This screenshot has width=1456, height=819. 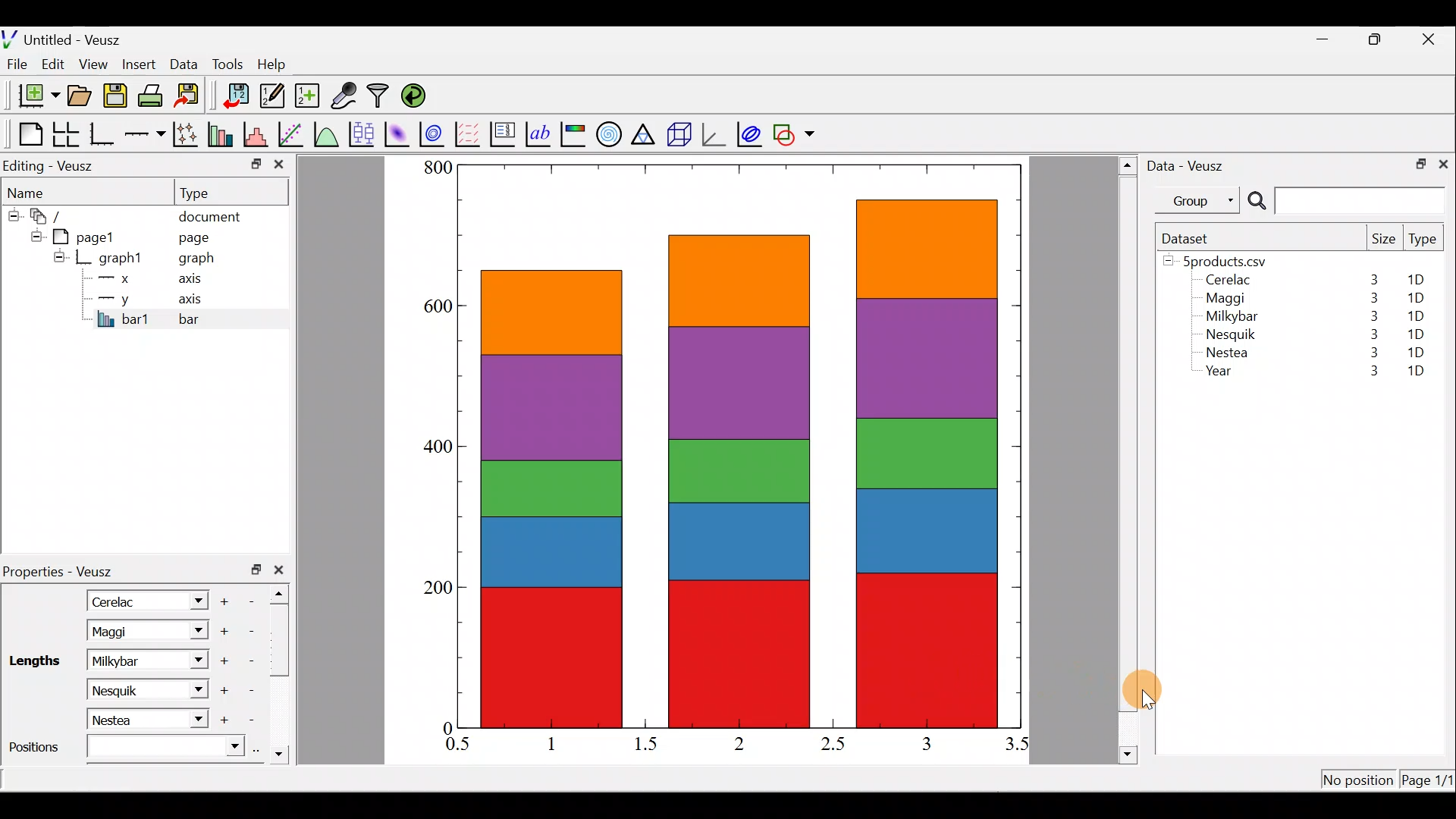 I want to click on Year, so click(x=1222, y=375).